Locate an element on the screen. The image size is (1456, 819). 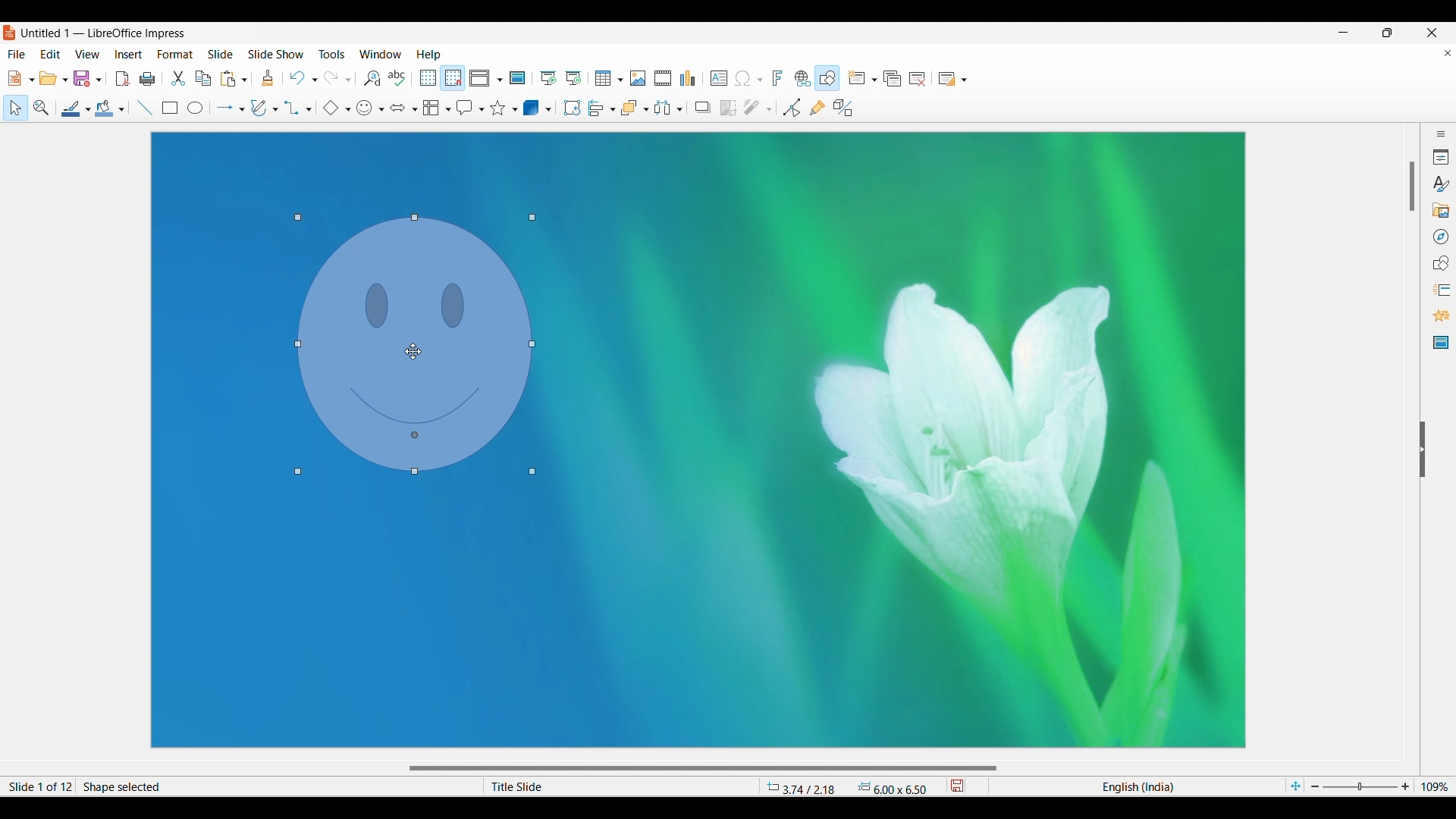
Insert audio or video is located at coordinates (664, 78).